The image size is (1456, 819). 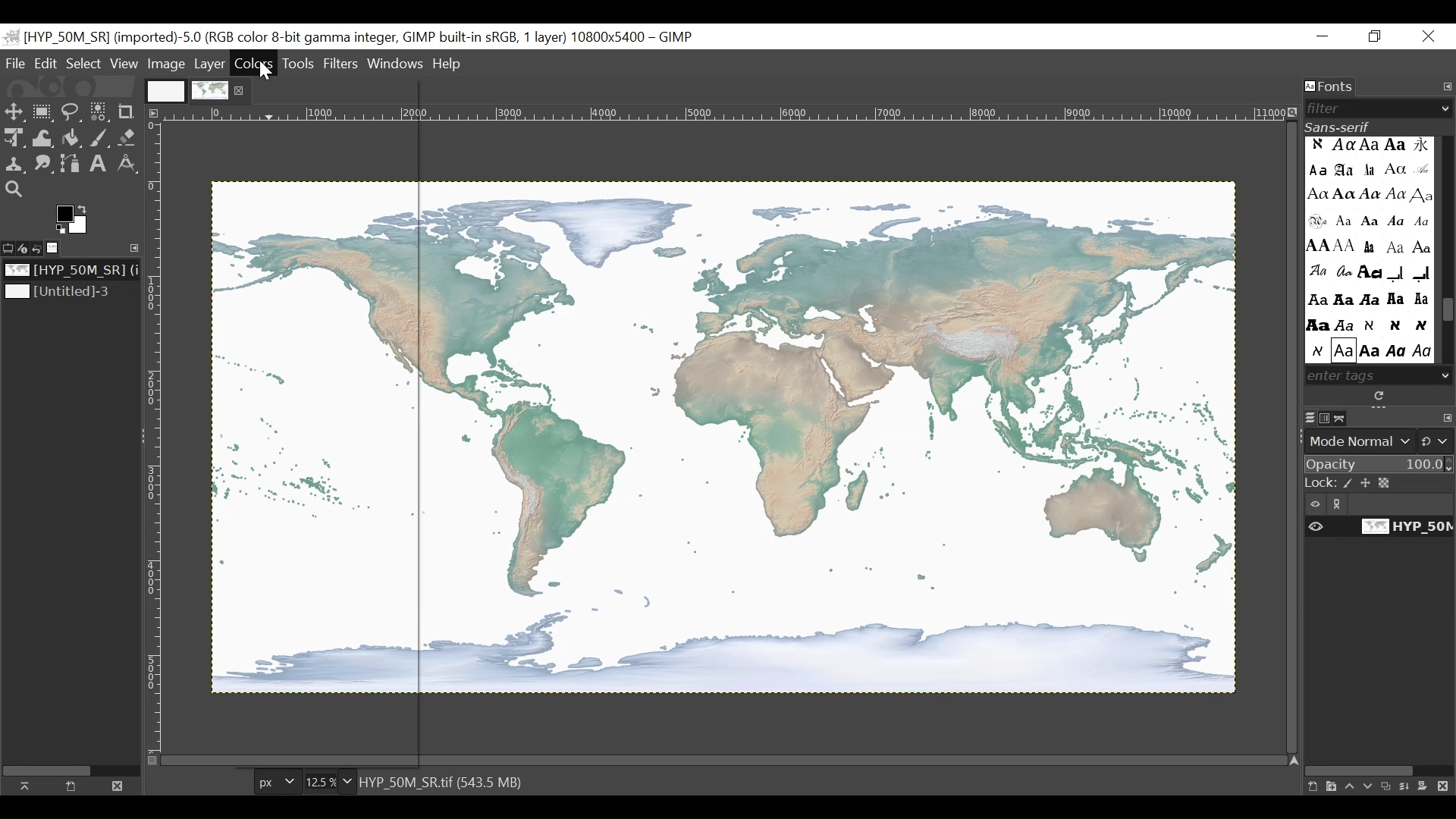 What do you see at coordinates (9, 246) in the screenshot?
I see `Tool options` at bounding box center [9, 246].